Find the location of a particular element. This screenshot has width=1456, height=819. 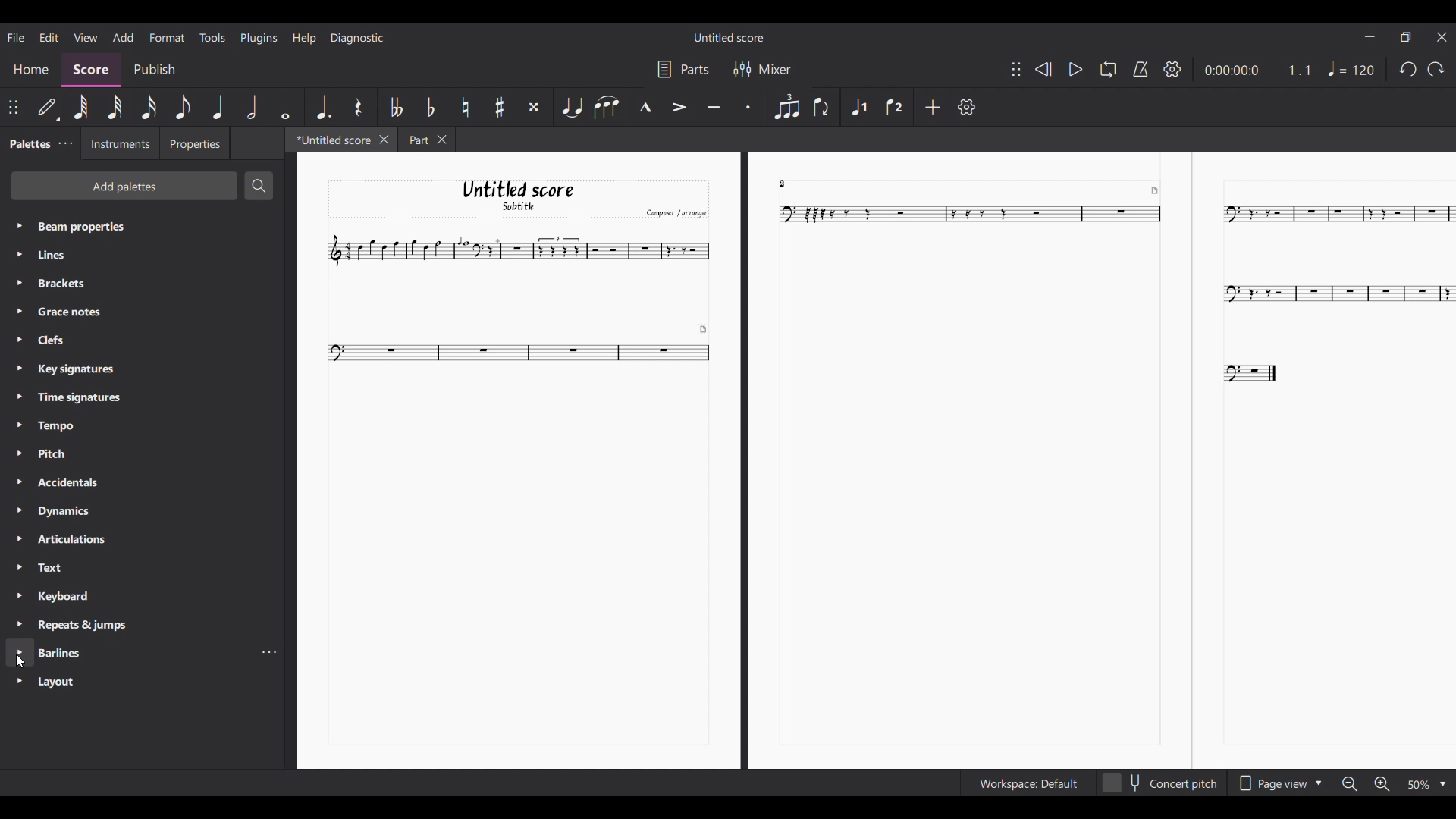

Toggle natural is located at coordinates (466, 107).